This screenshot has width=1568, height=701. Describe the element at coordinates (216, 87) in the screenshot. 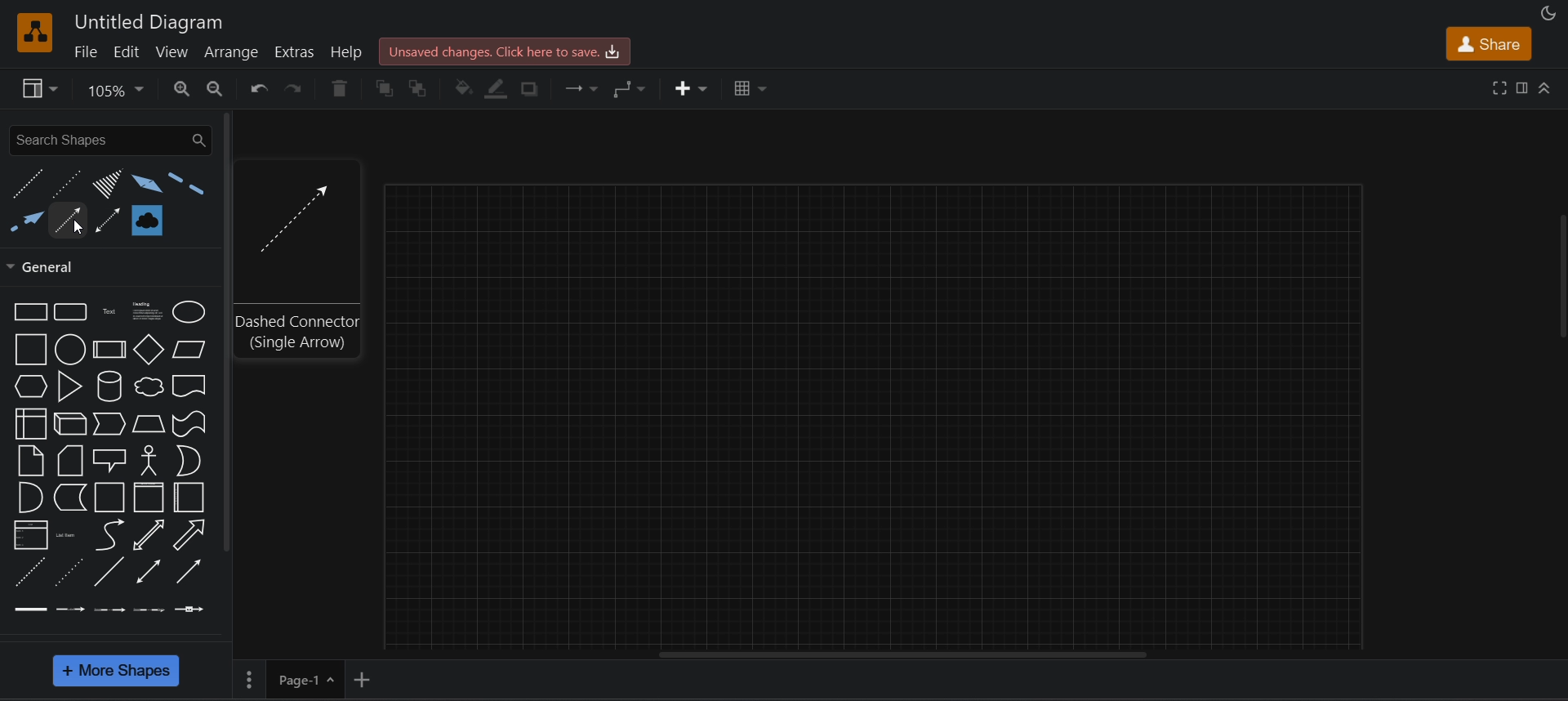

I see `zoom out` at that location.